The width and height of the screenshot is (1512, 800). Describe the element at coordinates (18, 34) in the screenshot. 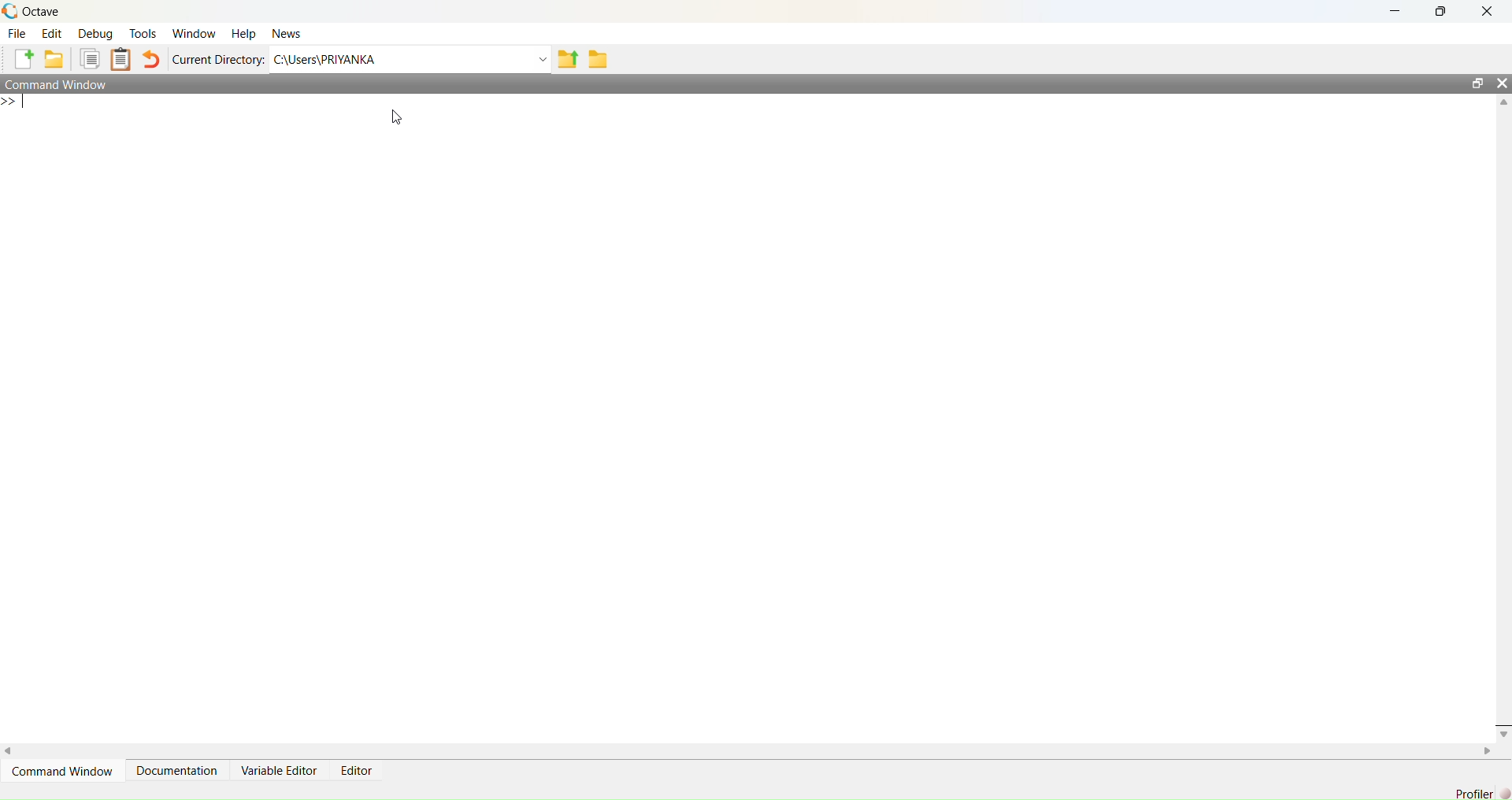

I see `File` at that location.